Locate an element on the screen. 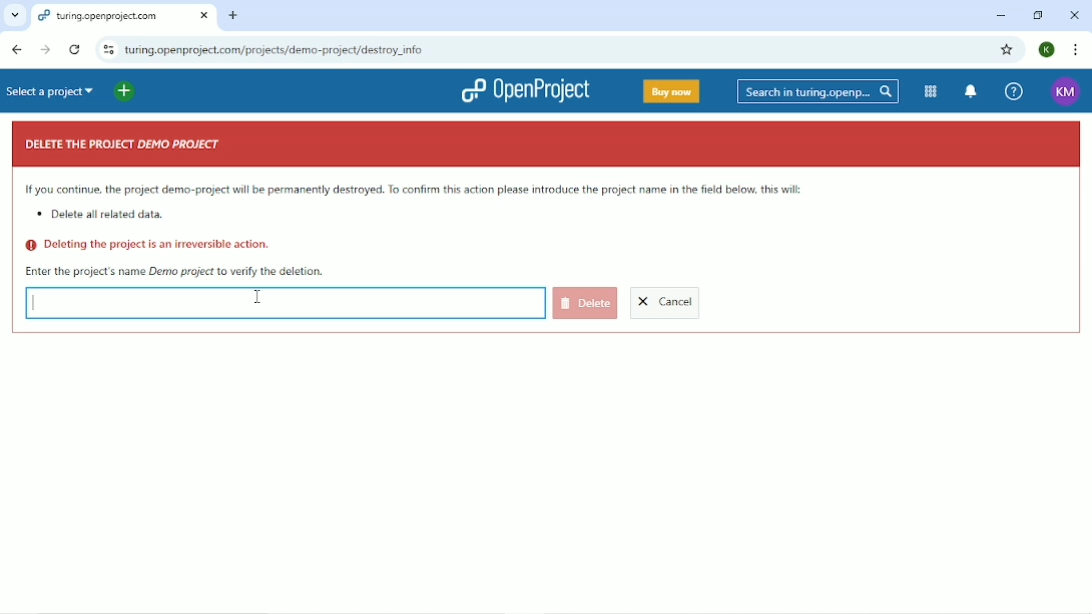 This screenshot has width=1092, height=614. KM is located at coordinates (1065, 93).